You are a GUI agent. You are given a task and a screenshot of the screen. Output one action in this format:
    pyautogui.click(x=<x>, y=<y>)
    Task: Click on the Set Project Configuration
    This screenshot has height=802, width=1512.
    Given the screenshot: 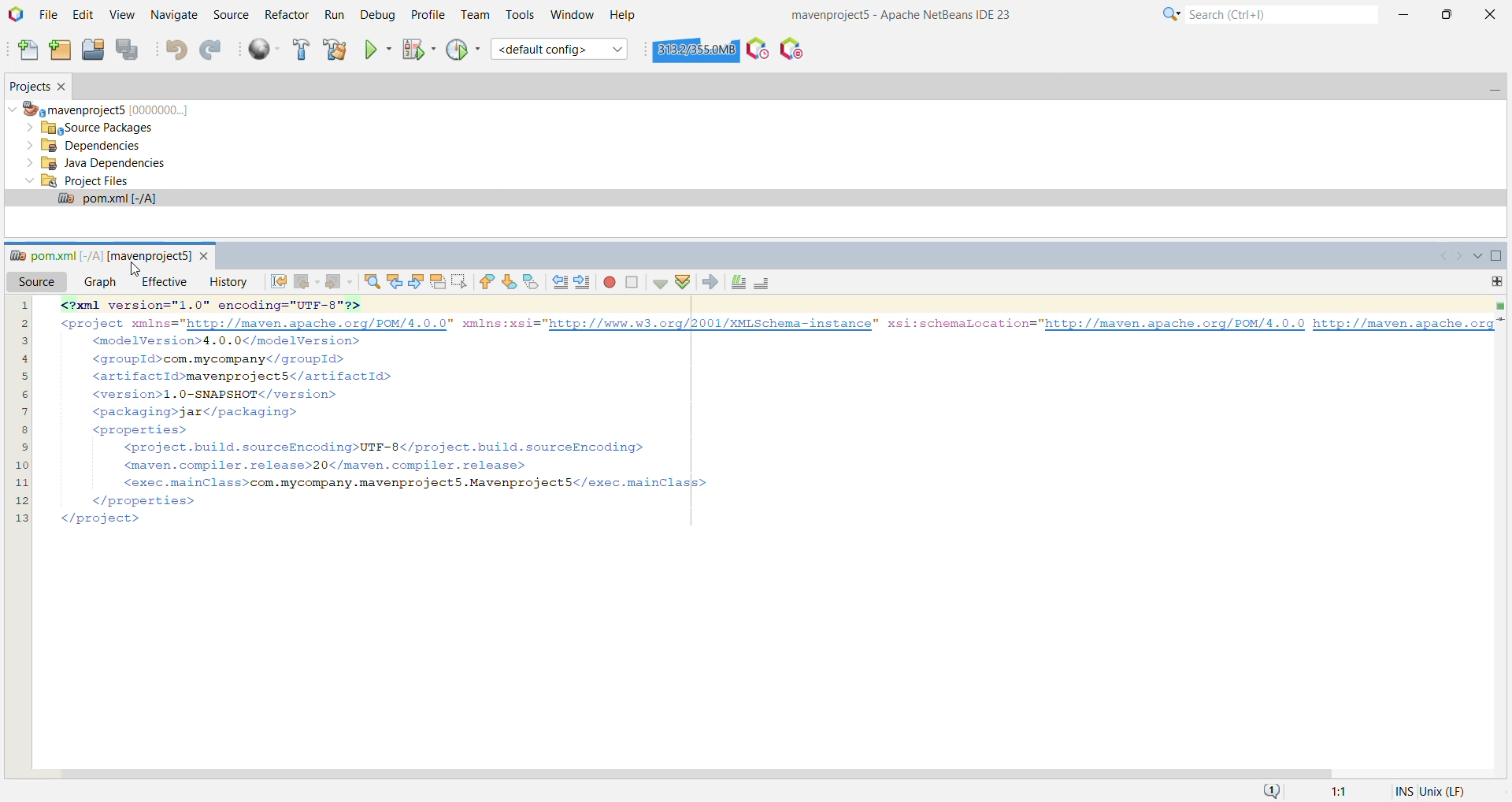 What is the action you would take?
    pyautogui.click(x=560, y=49)
    